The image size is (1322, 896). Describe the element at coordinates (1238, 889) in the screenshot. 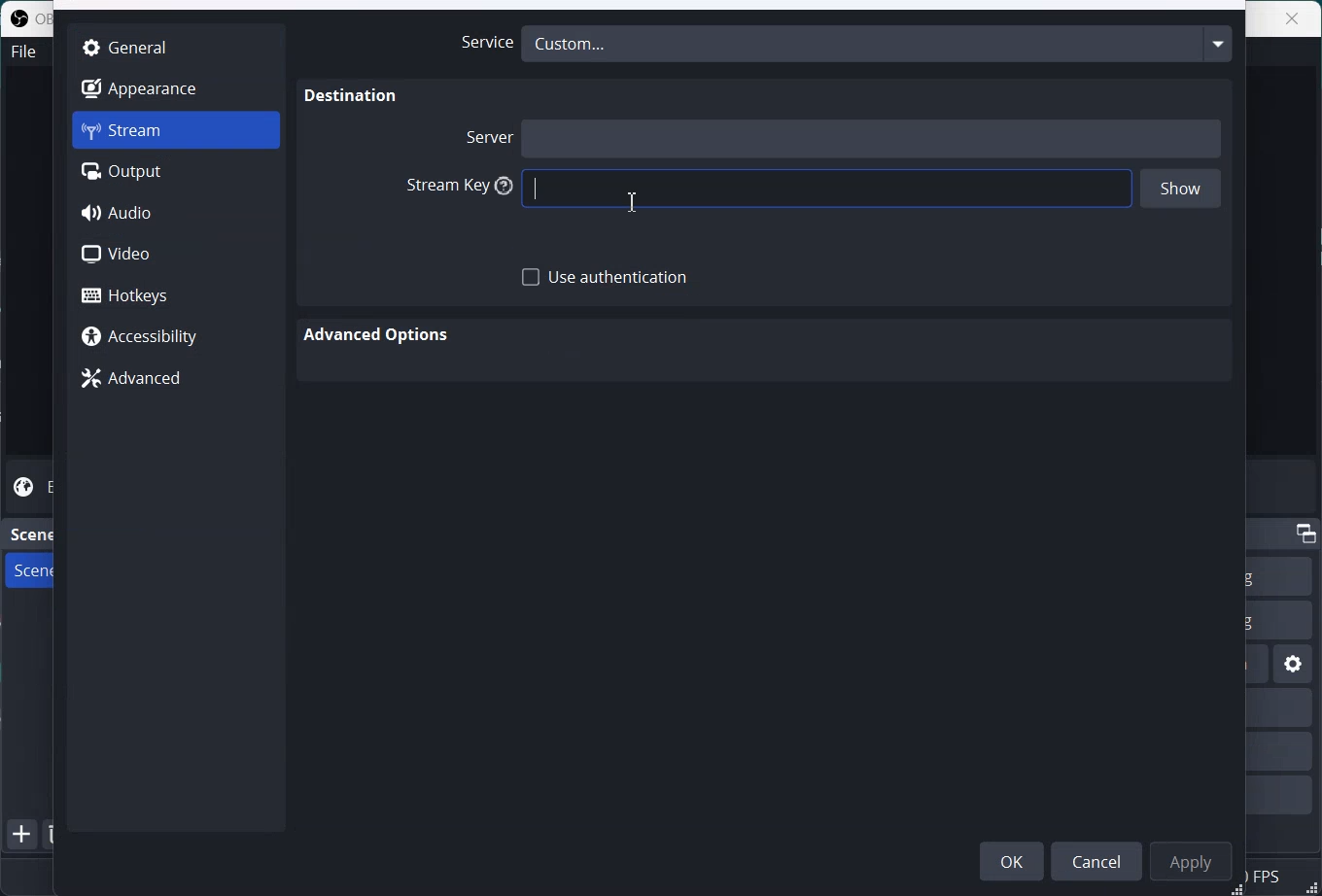

I see `Window adjuster` at that location.